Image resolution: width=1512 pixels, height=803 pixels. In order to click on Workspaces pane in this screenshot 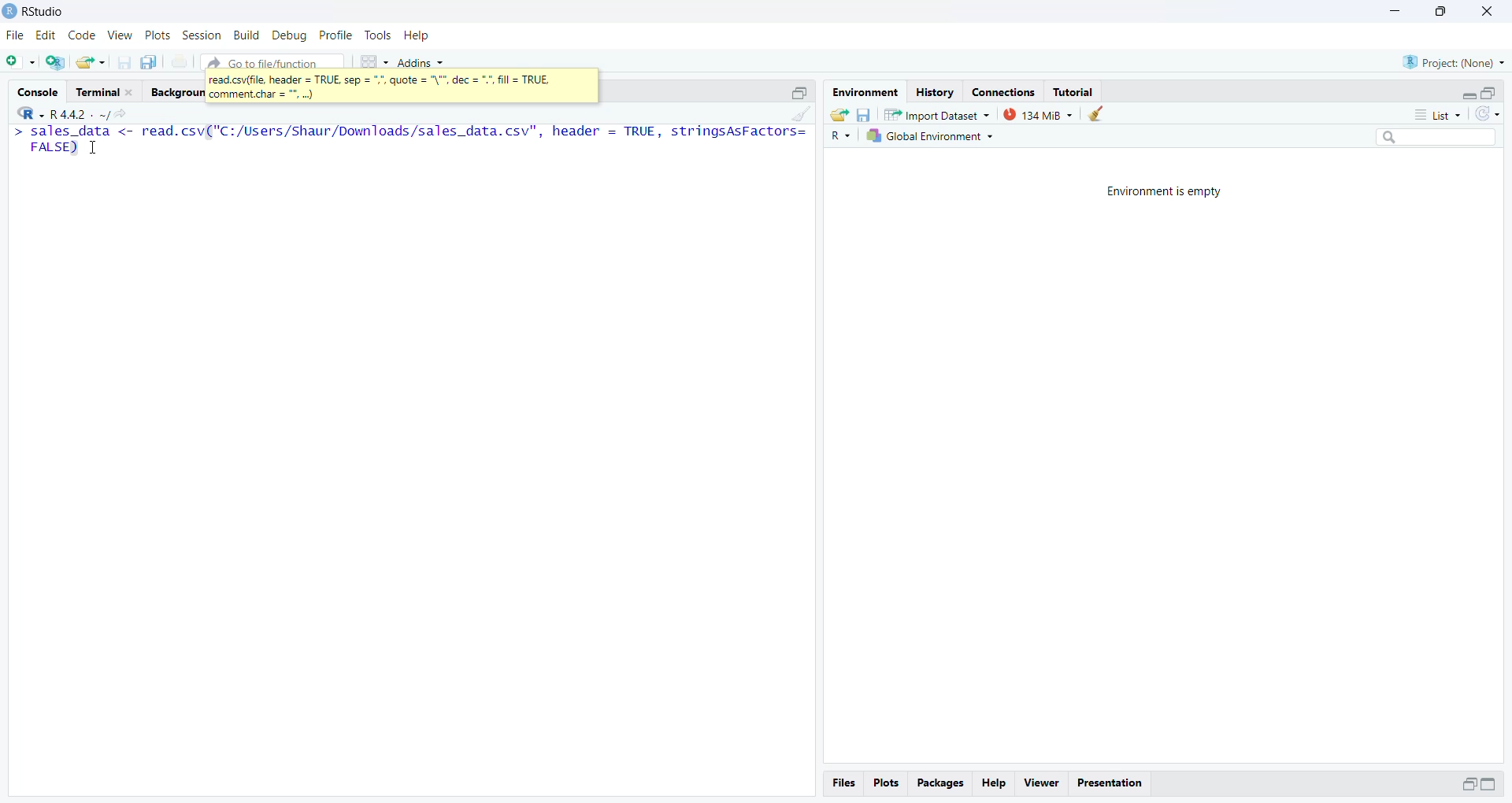, I will do `click(375, 61)`.